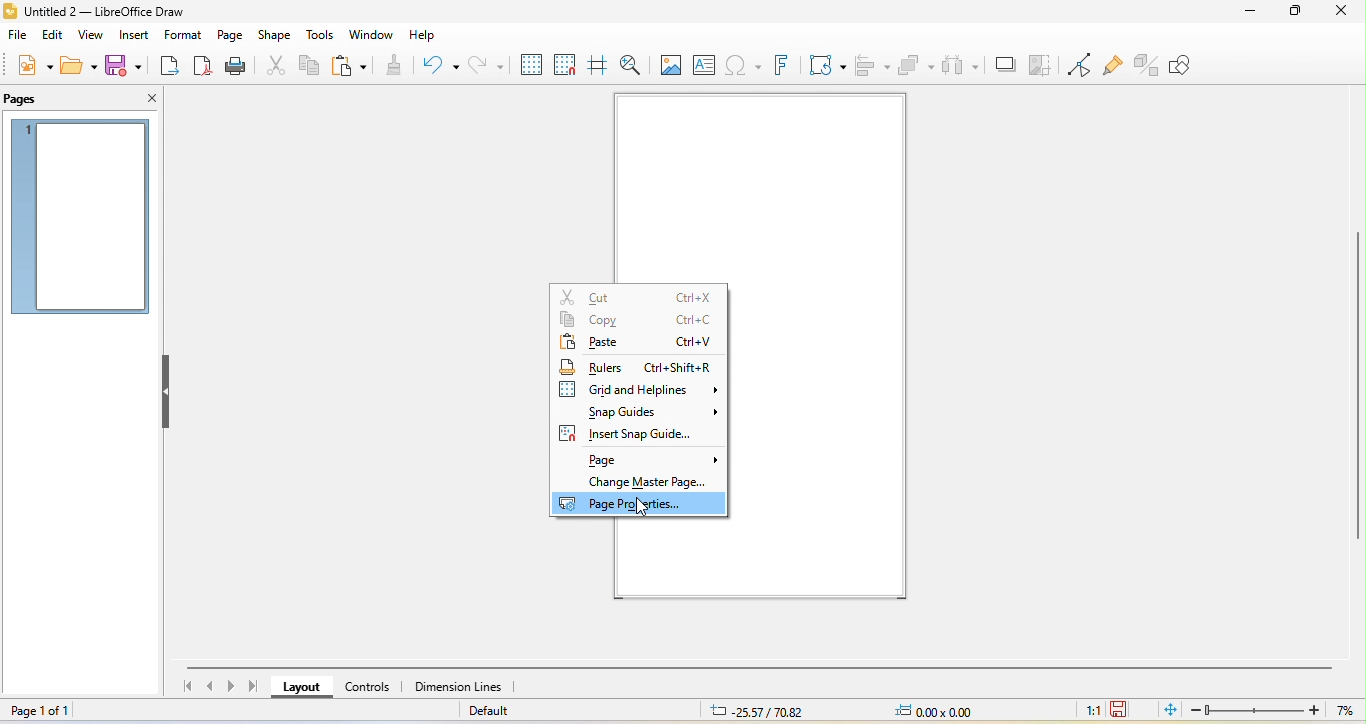  Describe the element at coordinates (531, 64) in the screenshot. I see `display to grid` at that location.